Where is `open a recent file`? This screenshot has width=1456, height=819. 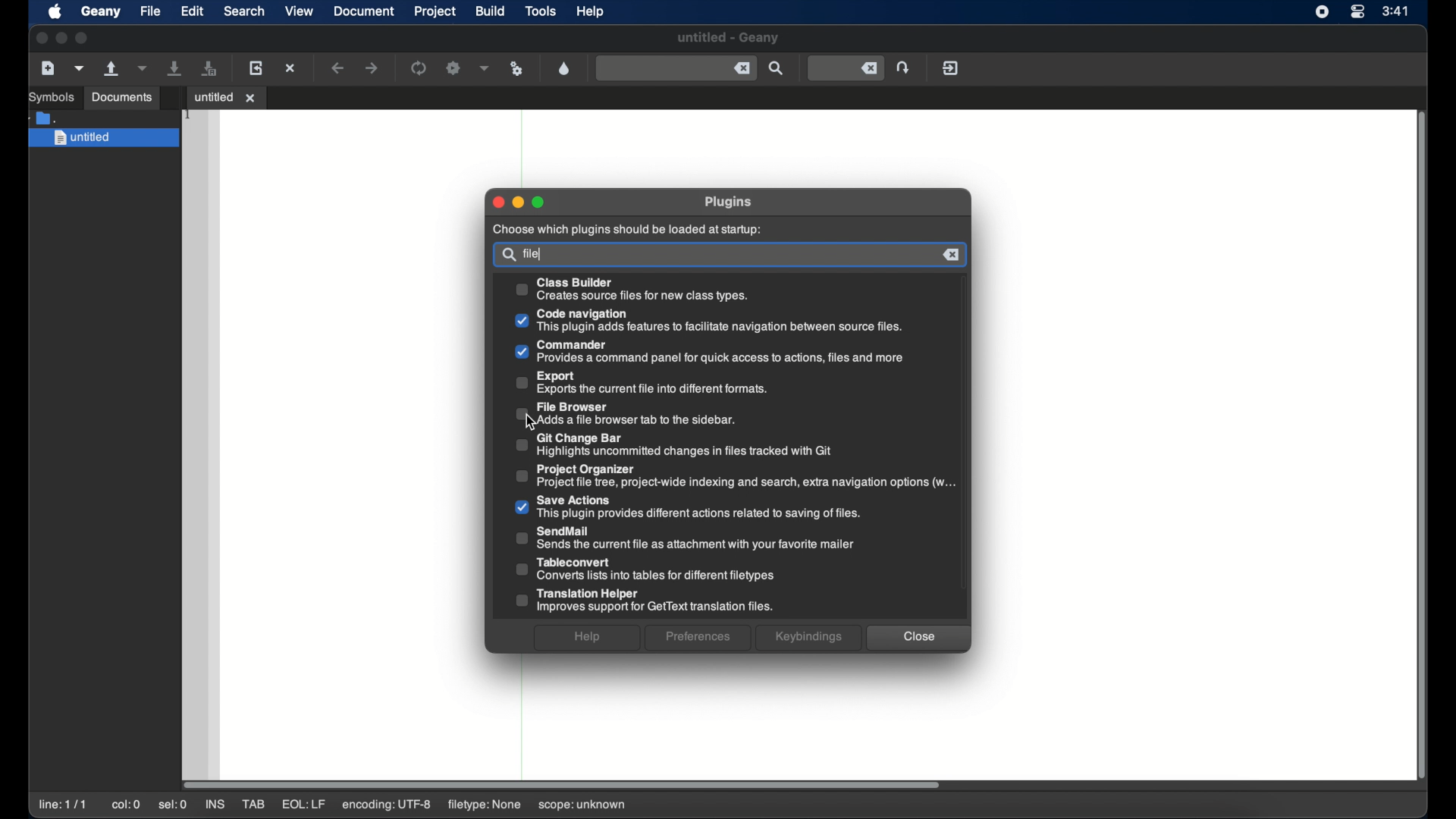 open a recent file is located at coordinates (144, 69).